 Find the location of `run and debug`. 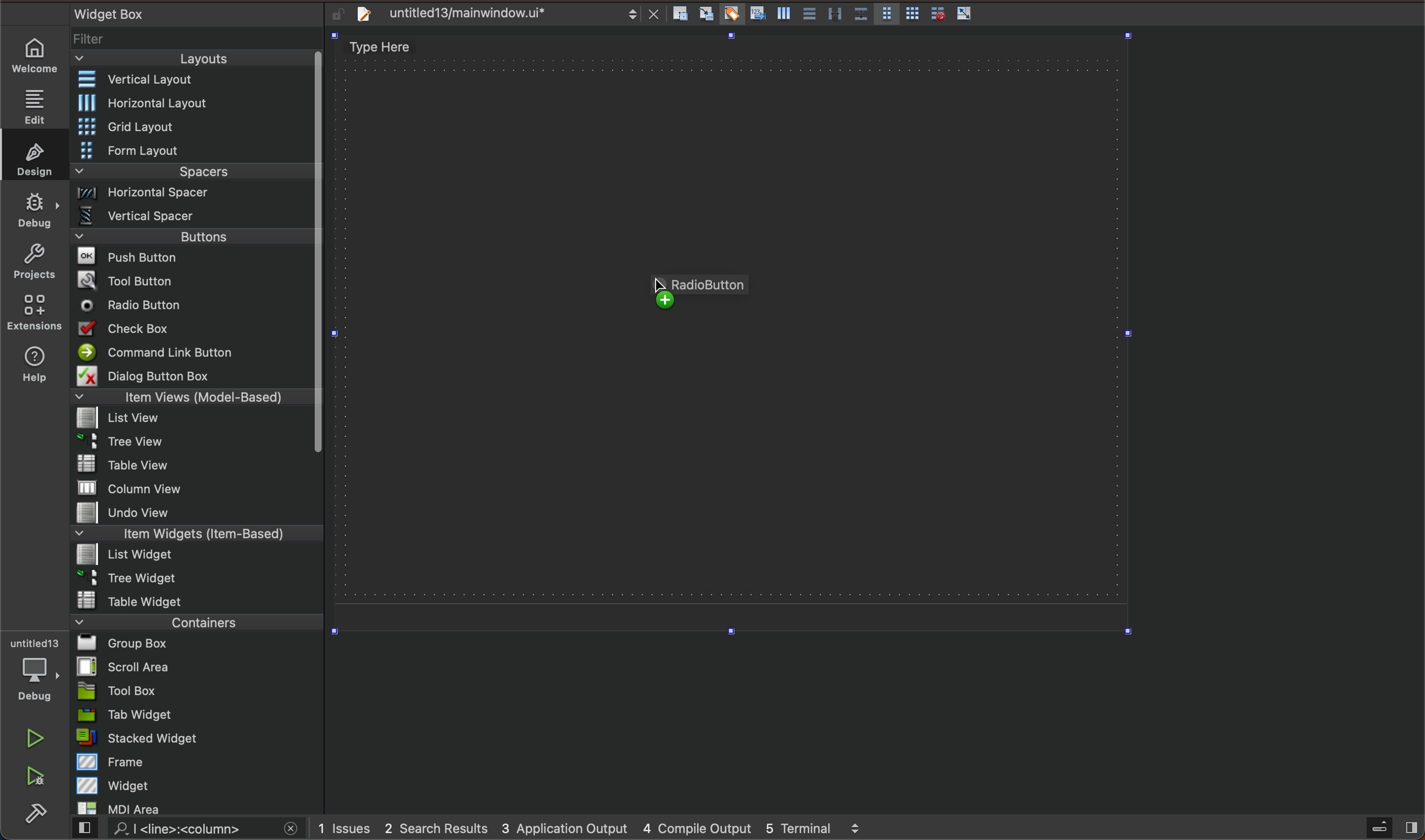

run and debug is located at coordinates (37, 778).